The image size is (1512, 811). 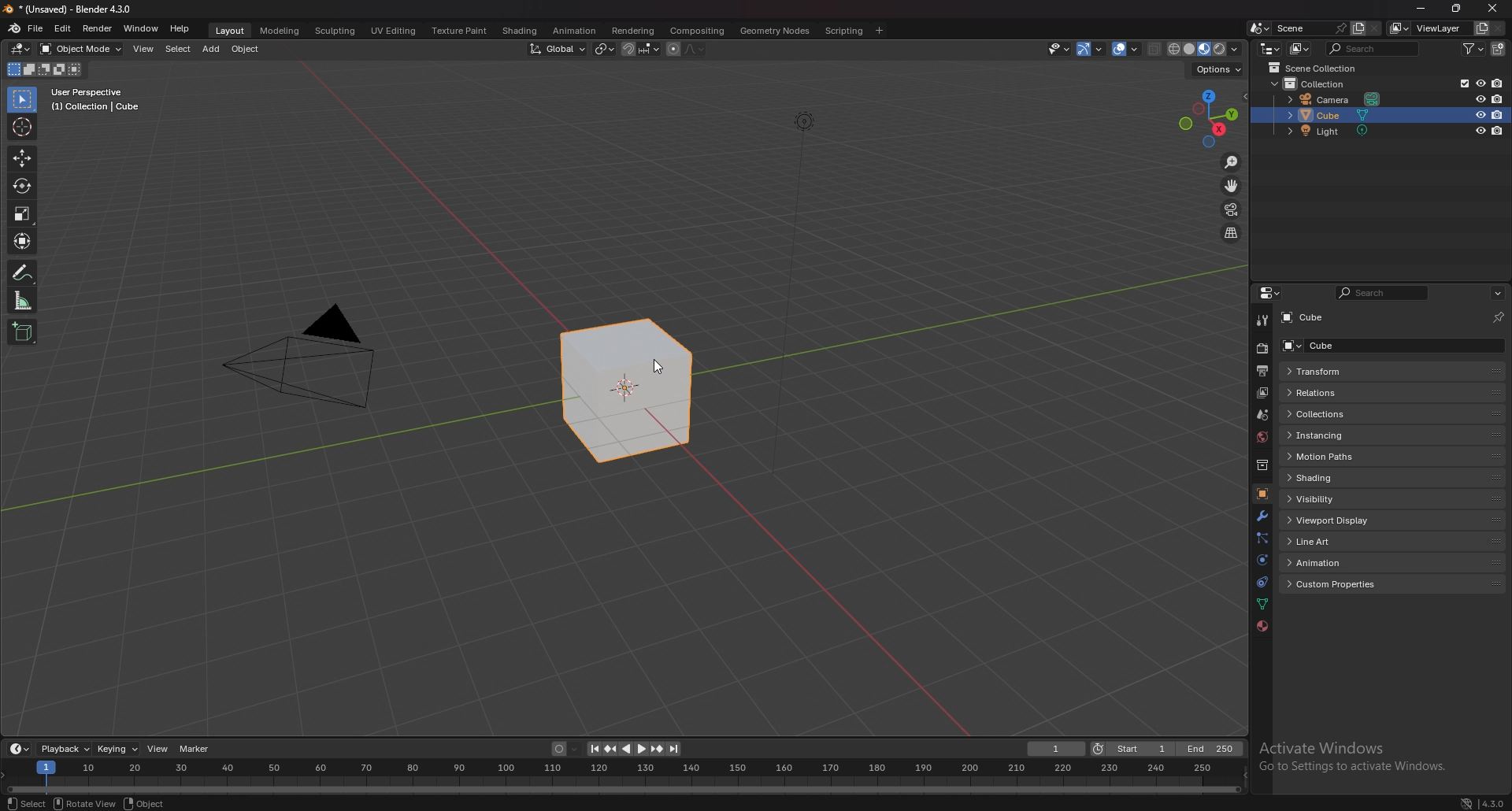 What do you see at coordinates (1376, 28) in the screenshot?
I see `delete scene` at bounding box center [1376, 28].